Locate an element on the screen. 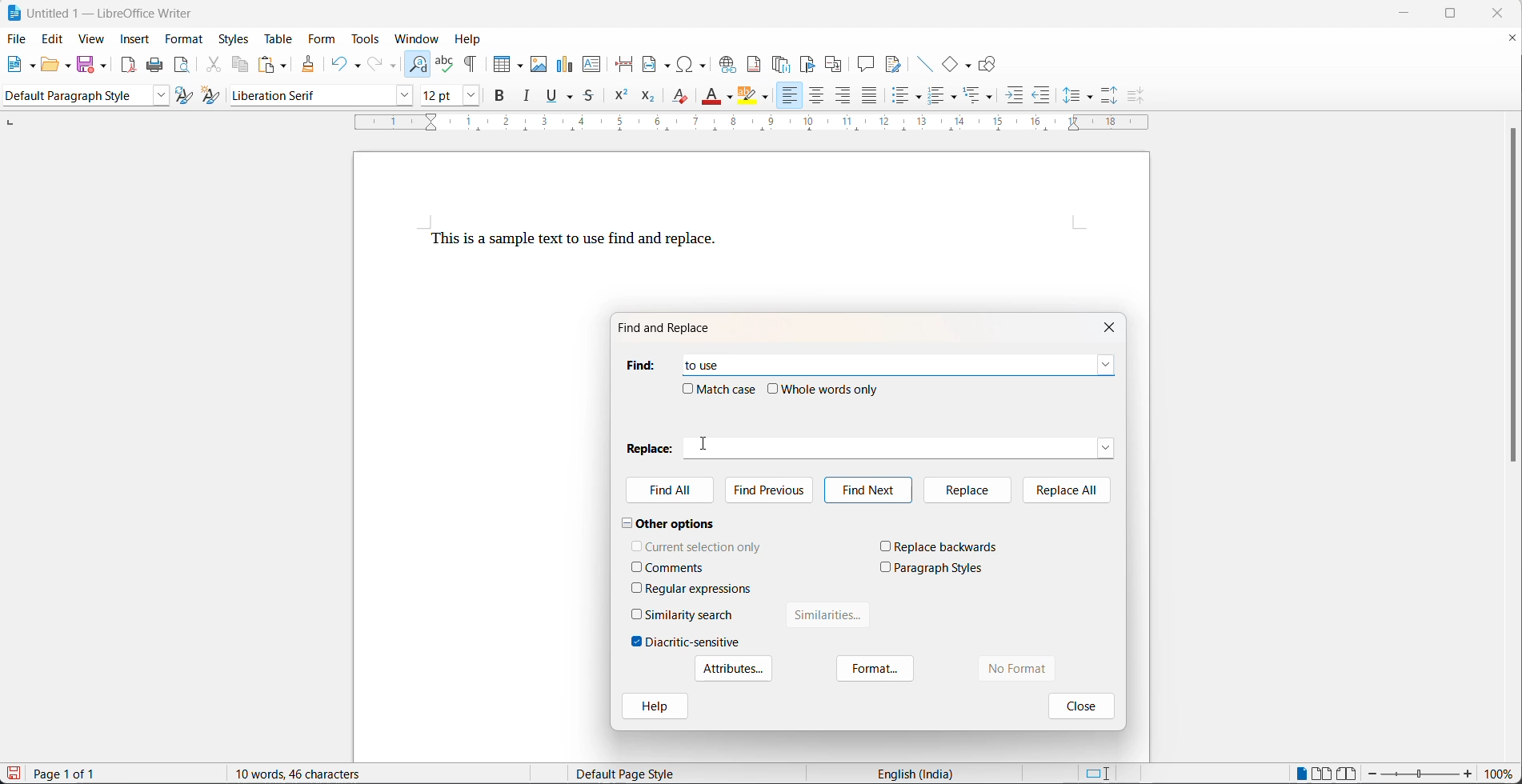 The height and width of the screenshot is (784, 1522). regular expressions is located at coordinates (700, 589).